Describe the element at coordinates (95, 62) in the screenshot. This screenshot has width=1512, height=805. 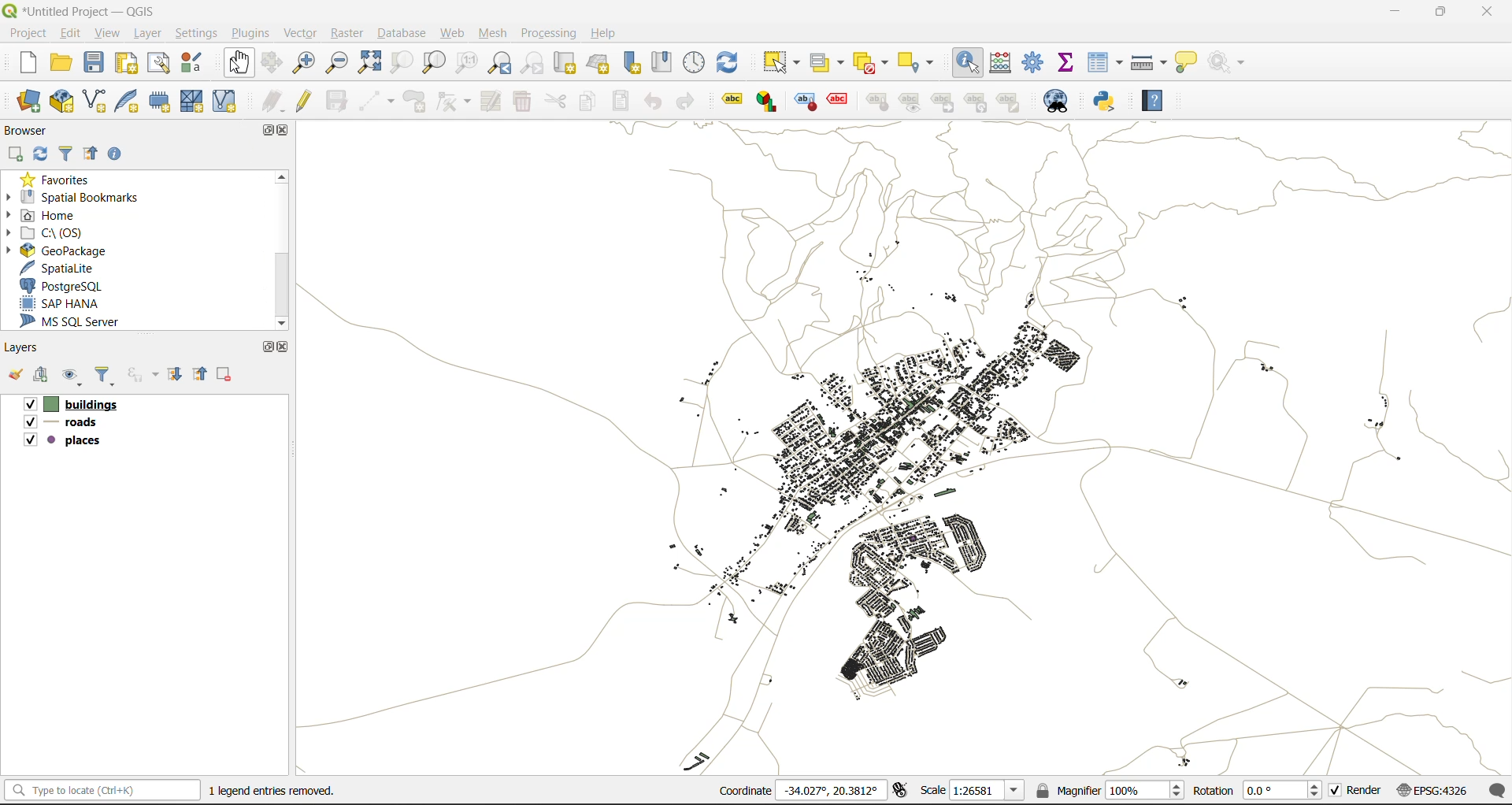
I see `save` at that location.